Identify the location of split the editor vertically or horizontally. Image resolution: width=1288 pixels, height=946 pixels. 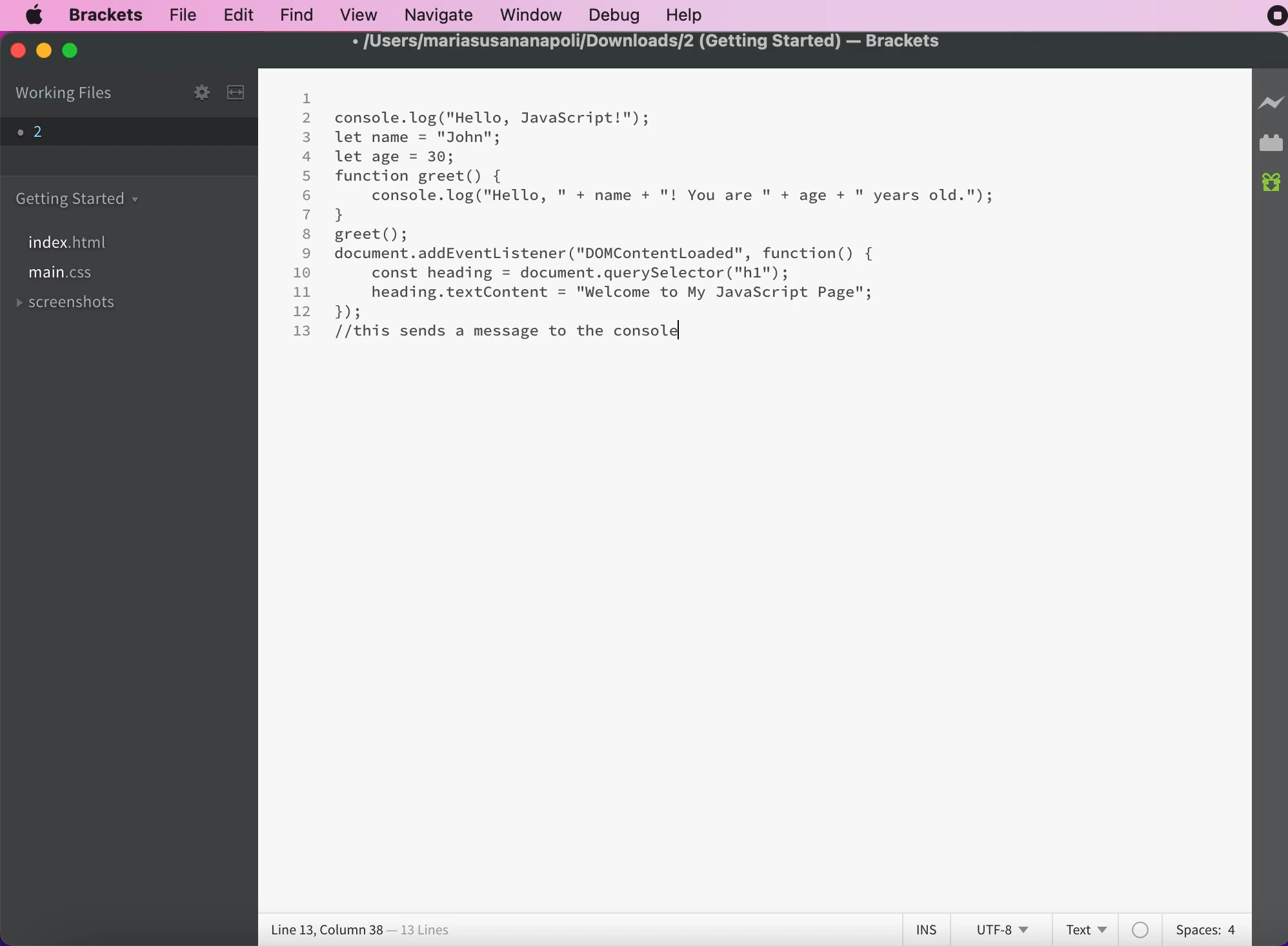
(235, 94).